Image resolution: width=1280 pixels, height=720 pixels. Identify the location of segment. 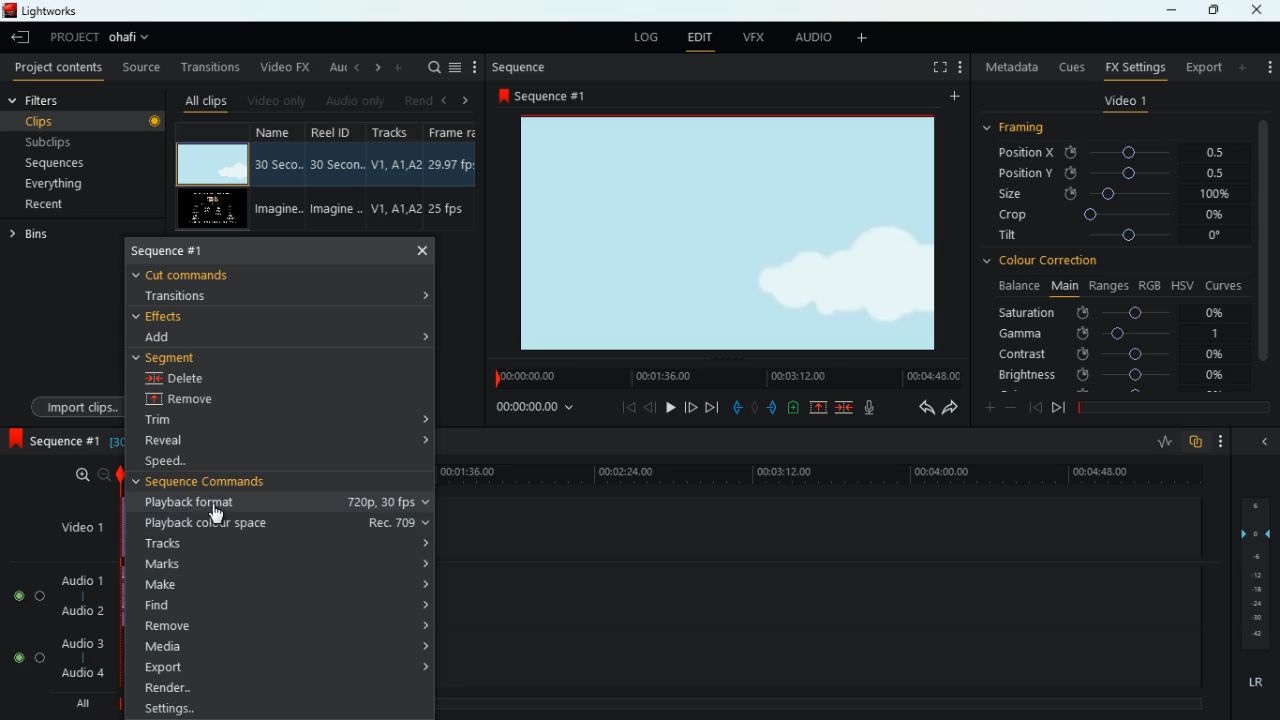
(175, 359).